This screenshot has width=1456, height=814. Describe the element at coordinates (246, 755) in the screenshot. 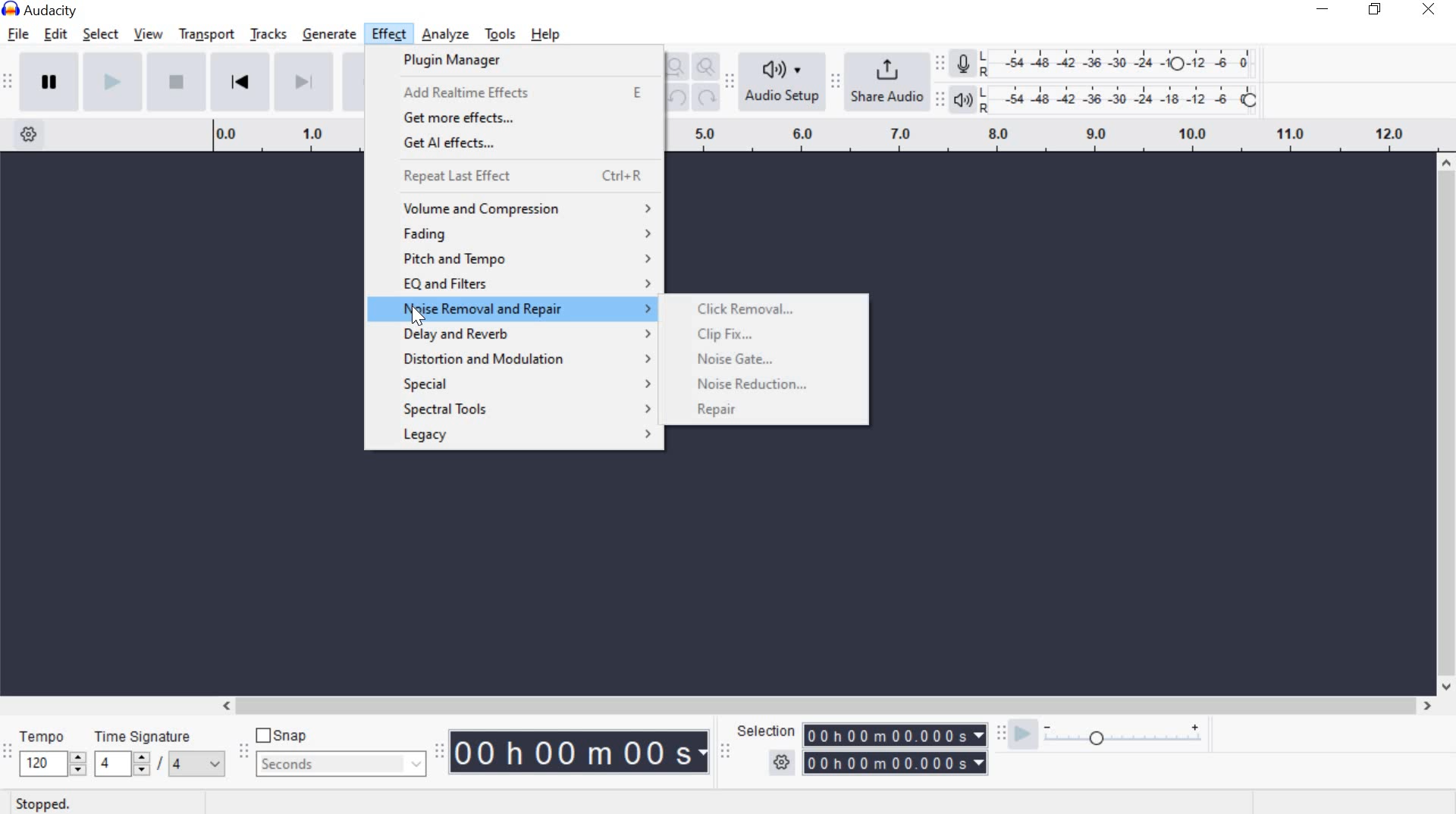

I see `Snapping Toolbar` at that location.